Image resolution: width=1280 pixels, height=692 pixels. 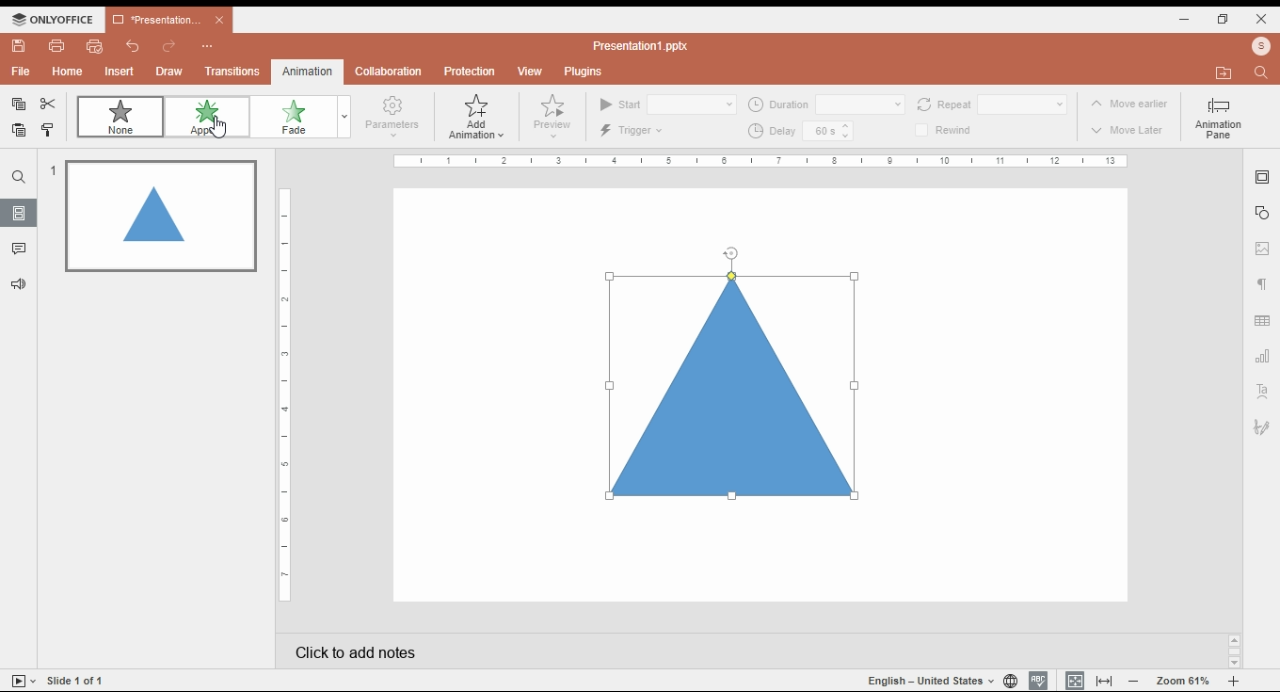 I want to click on spell check, so click(x=1038, y=681).